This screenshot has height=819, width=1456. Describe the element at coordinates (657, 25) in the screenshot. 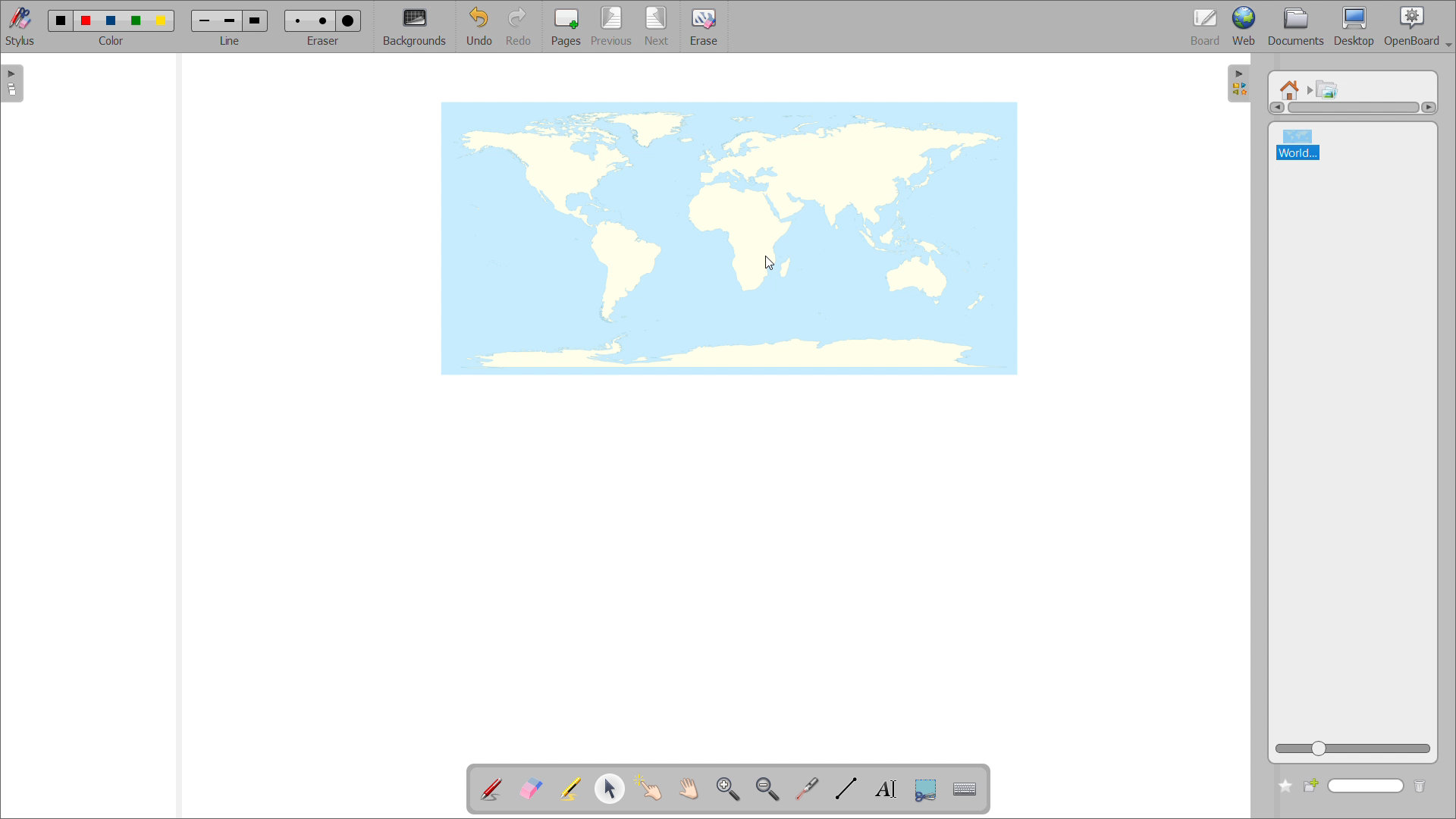

I see `next page` at that location.